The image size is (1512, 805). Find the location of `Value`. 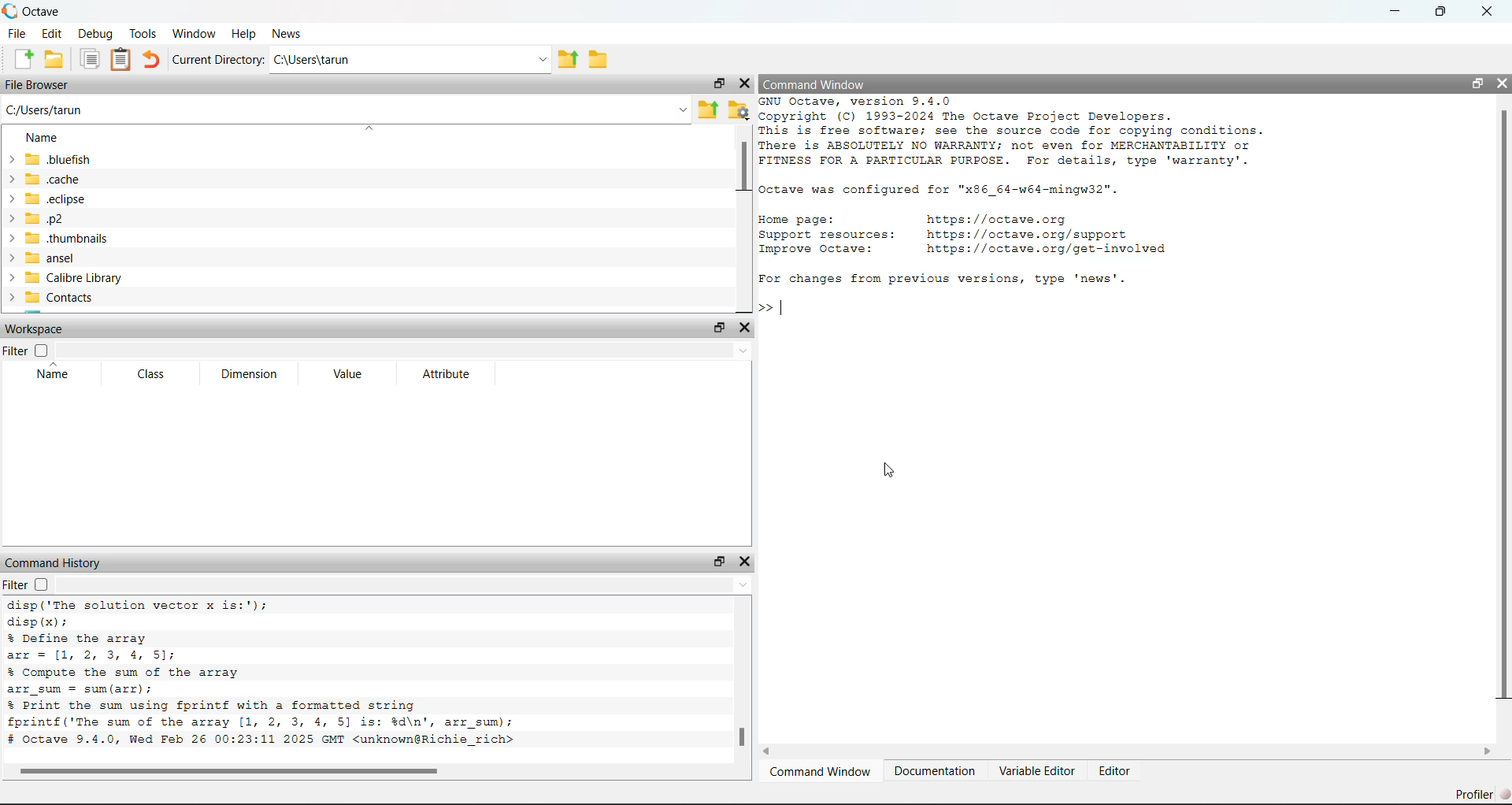

Value is located at coordinates (352, 373).